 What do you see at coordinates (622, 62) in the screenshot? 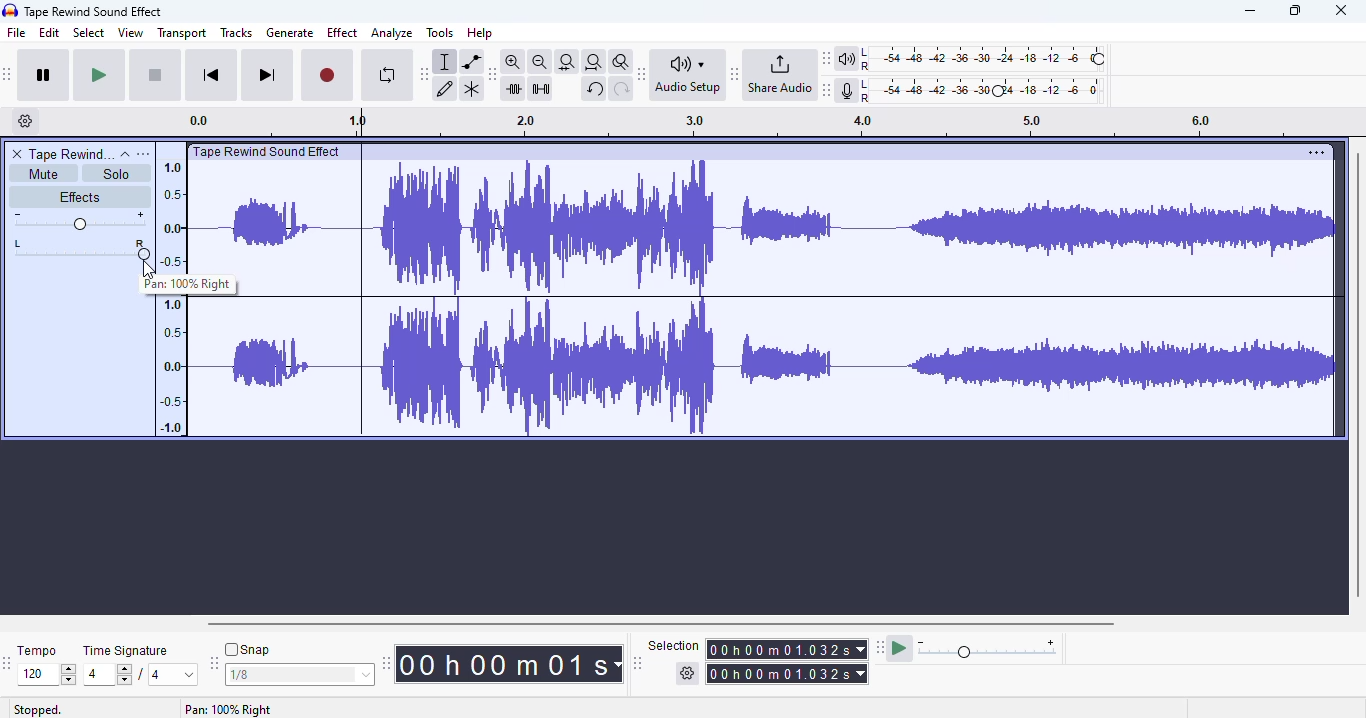
I see `zoom toggle shift` at bounding box center [622, 62].